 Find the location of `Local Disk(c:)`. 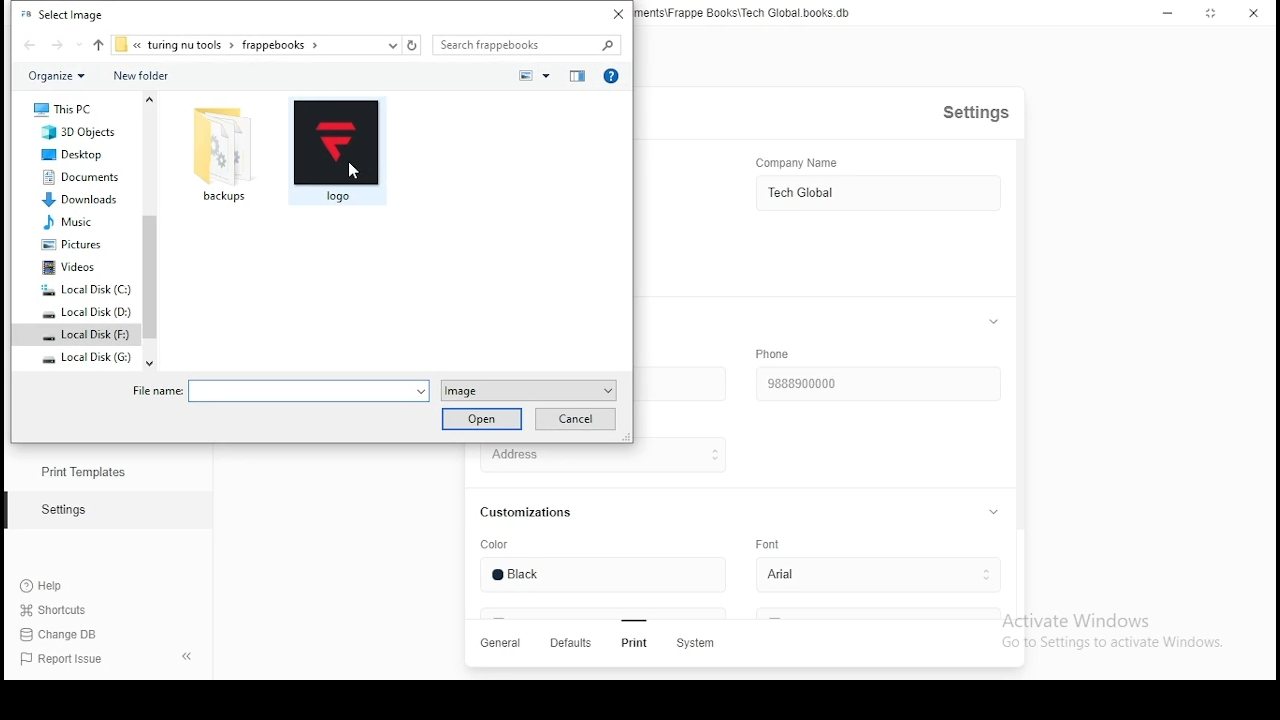

Local Disk(c:) is located at coordinates (80, 292).